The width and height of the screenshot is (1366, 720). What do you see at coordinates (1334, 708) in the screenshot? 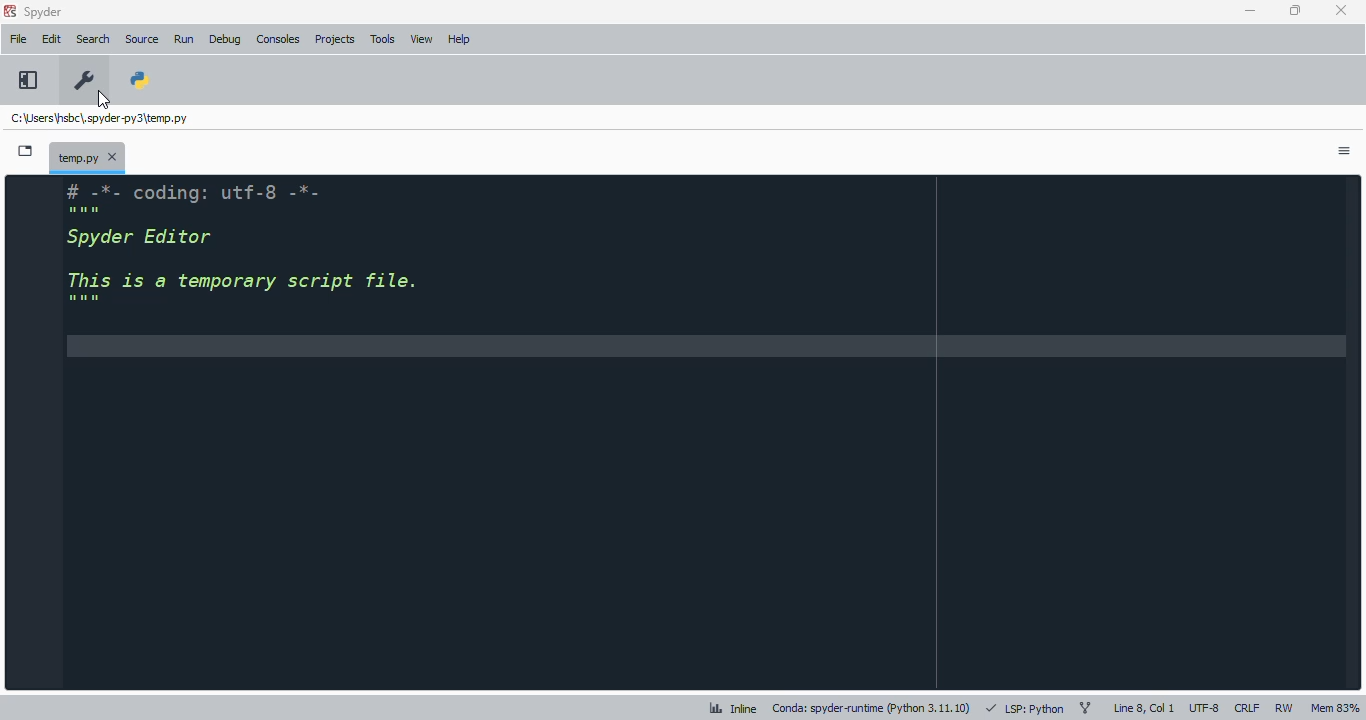
I see `mem 83%` at bounding box center [1334, 708].